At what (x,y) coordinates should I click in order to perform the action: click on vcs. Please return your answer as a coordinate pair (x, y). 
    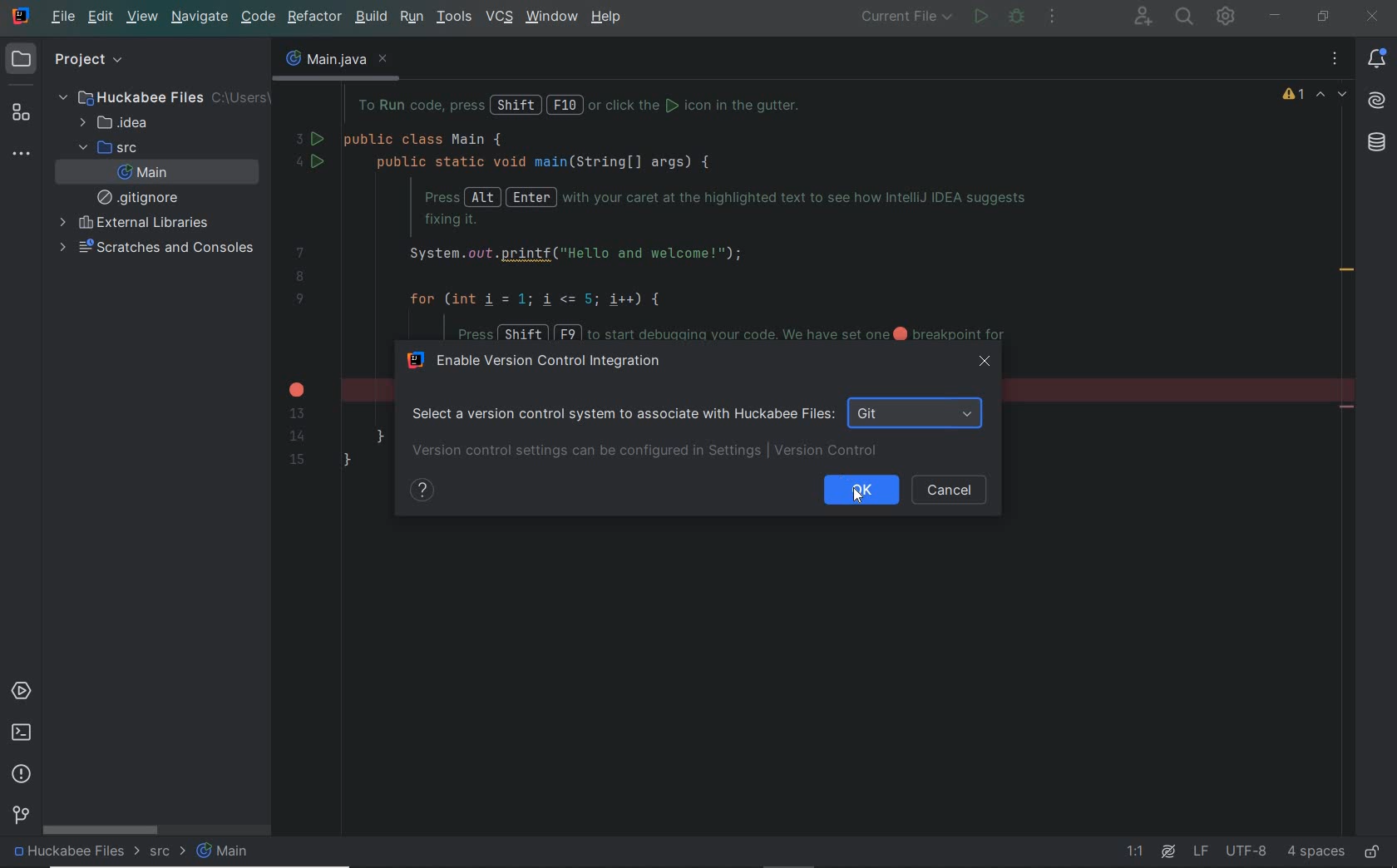
    Looking at the image, I should click on (500, 19).